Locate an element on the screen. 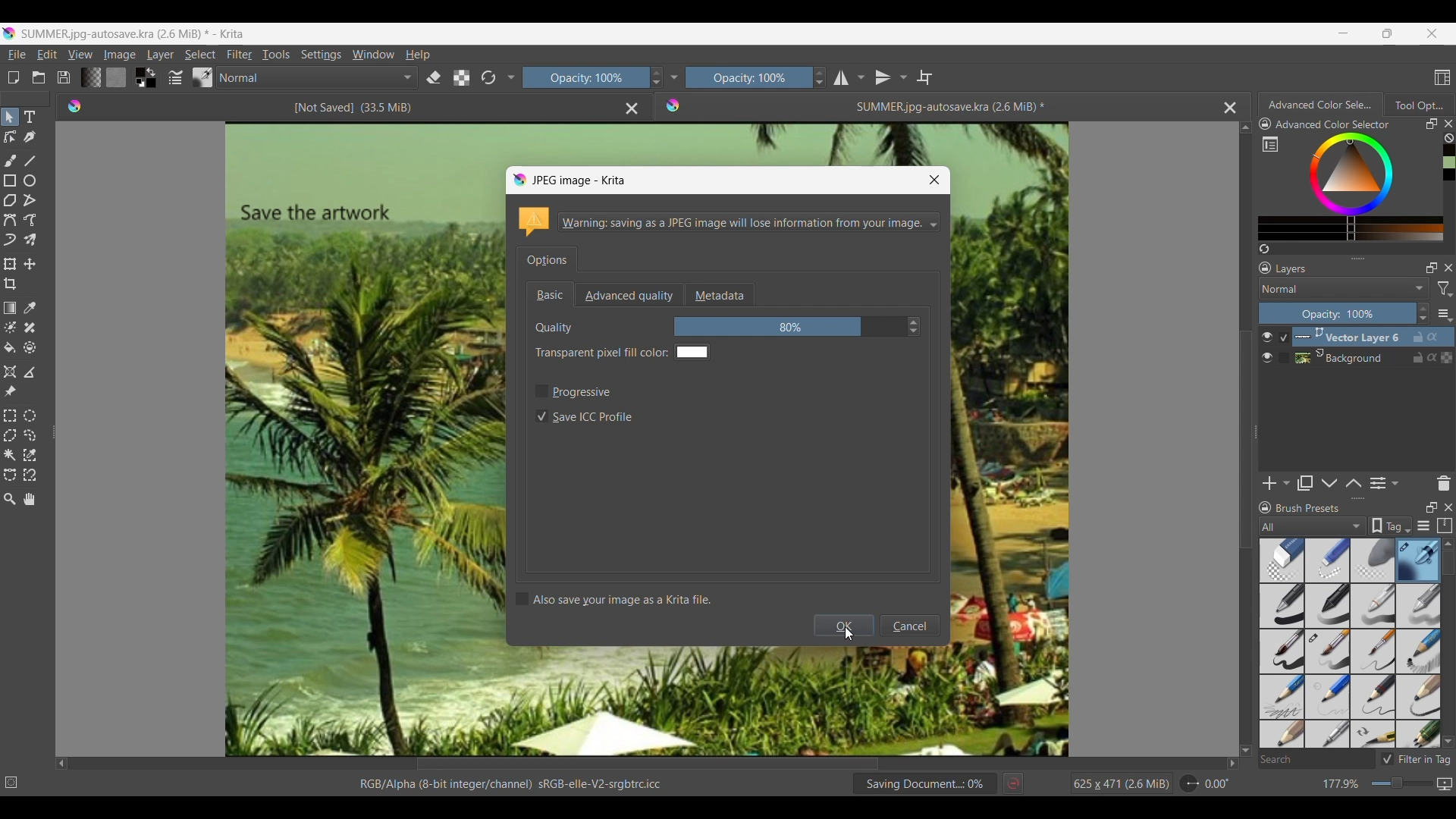 The height and width of the screenshot is (819, 1456). Transform a layer or selection is located at coordinates (9, 264).